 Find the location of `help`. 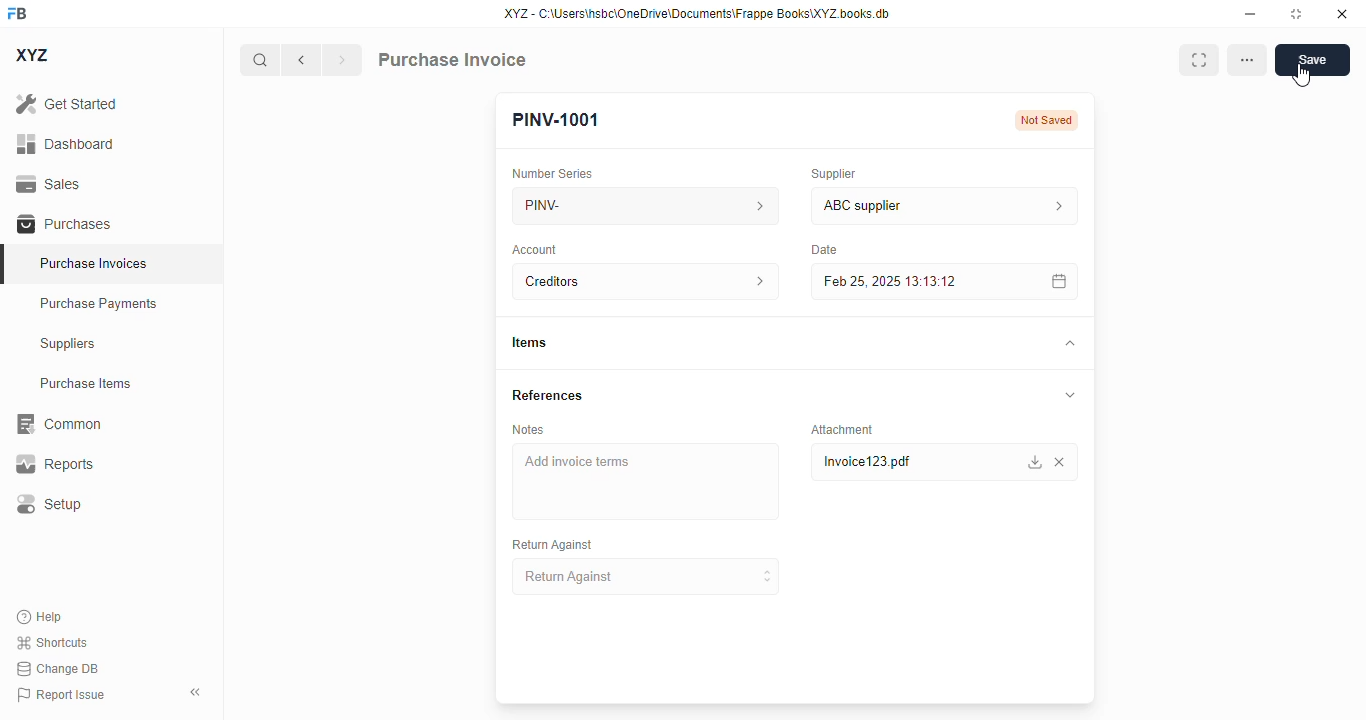

help is located at coordinates (40, 617).